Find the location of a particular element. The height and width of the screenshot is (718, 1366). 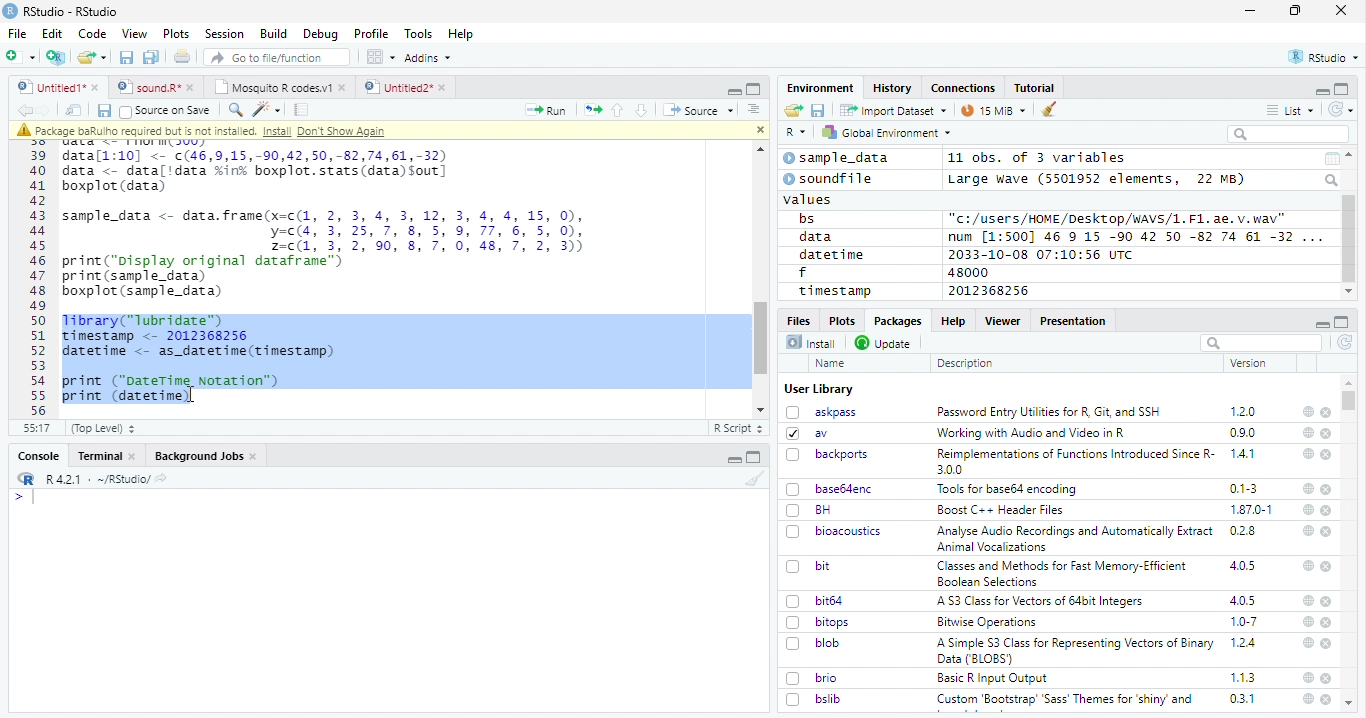

0.3.1 is located at coordinates (1242, 698).